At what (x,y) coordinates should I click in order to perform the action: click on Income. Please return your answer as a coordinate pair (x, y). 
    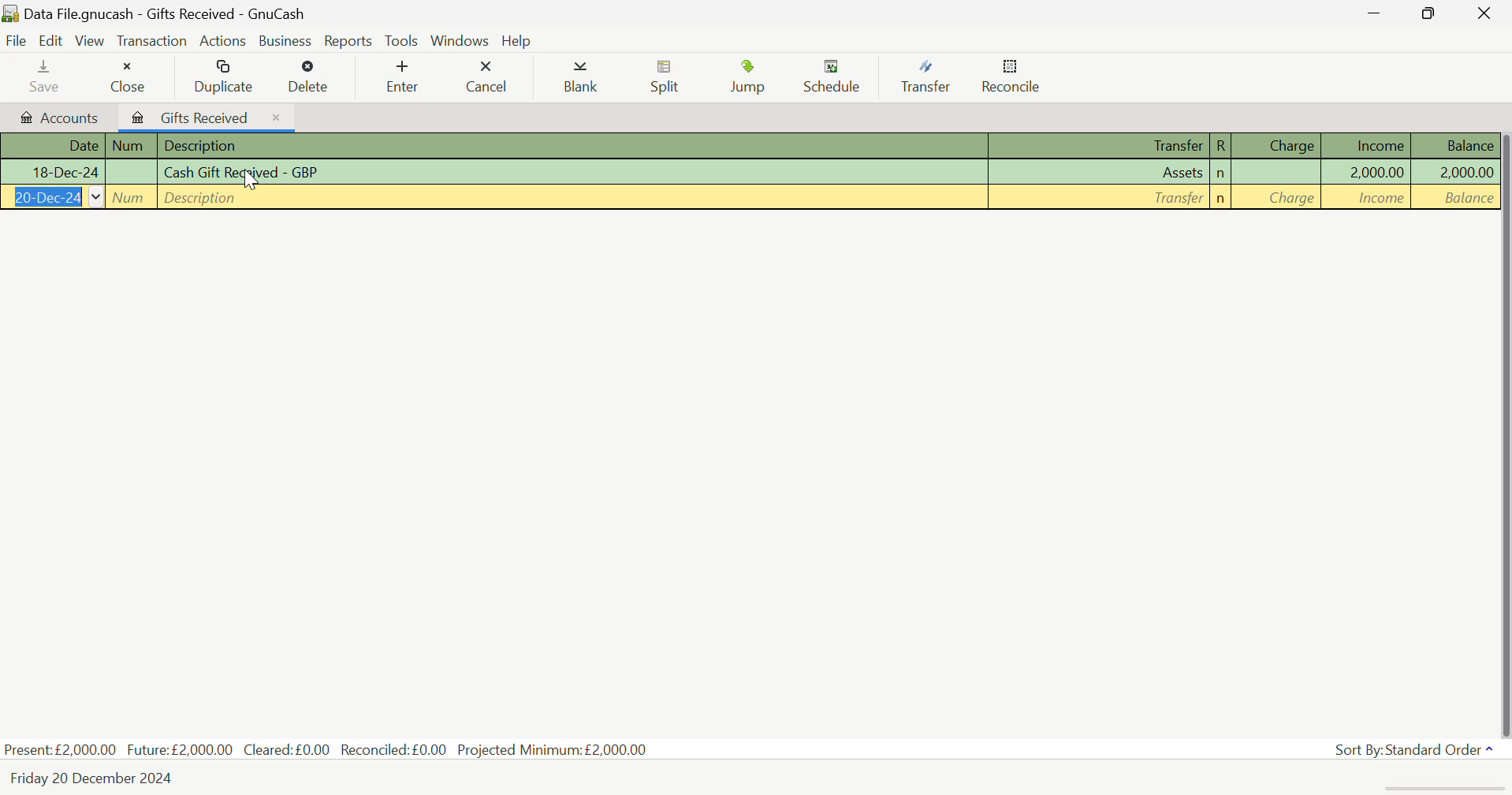
    Looking at the image, I should click on (1369, 145).